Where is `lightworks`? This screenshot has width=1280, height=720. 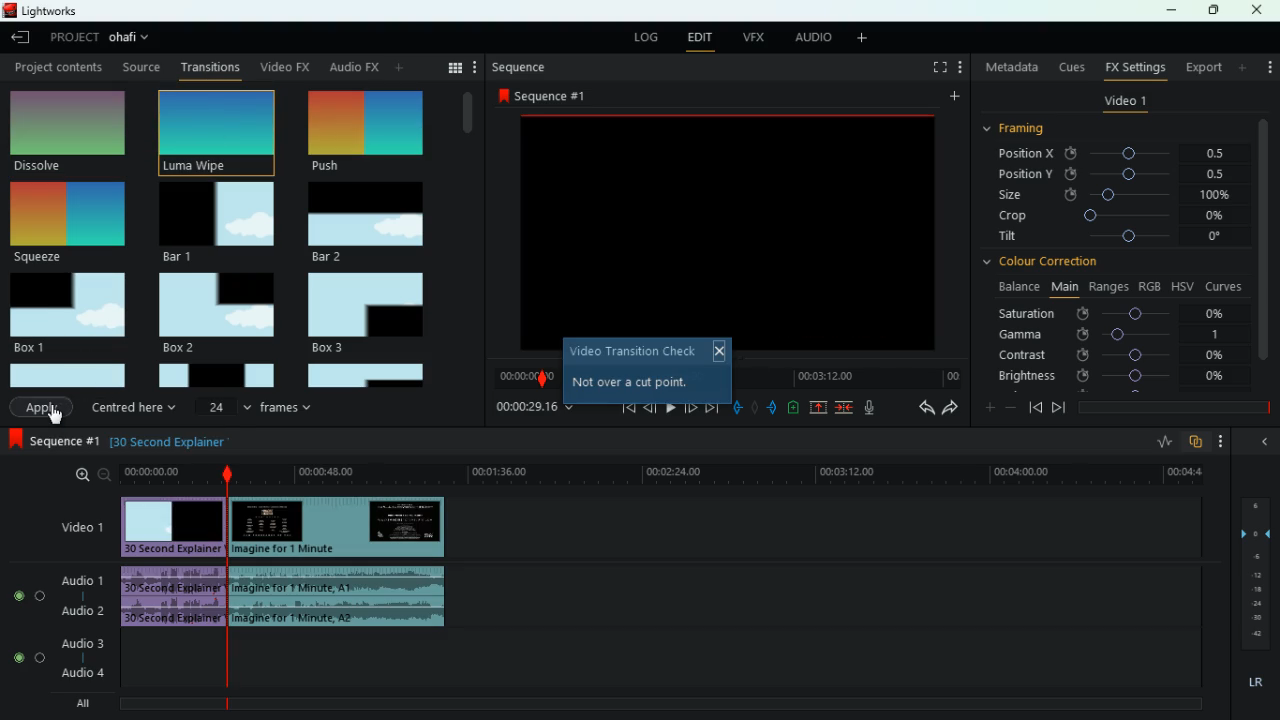
lightworks is located at coordinates (42, 10).